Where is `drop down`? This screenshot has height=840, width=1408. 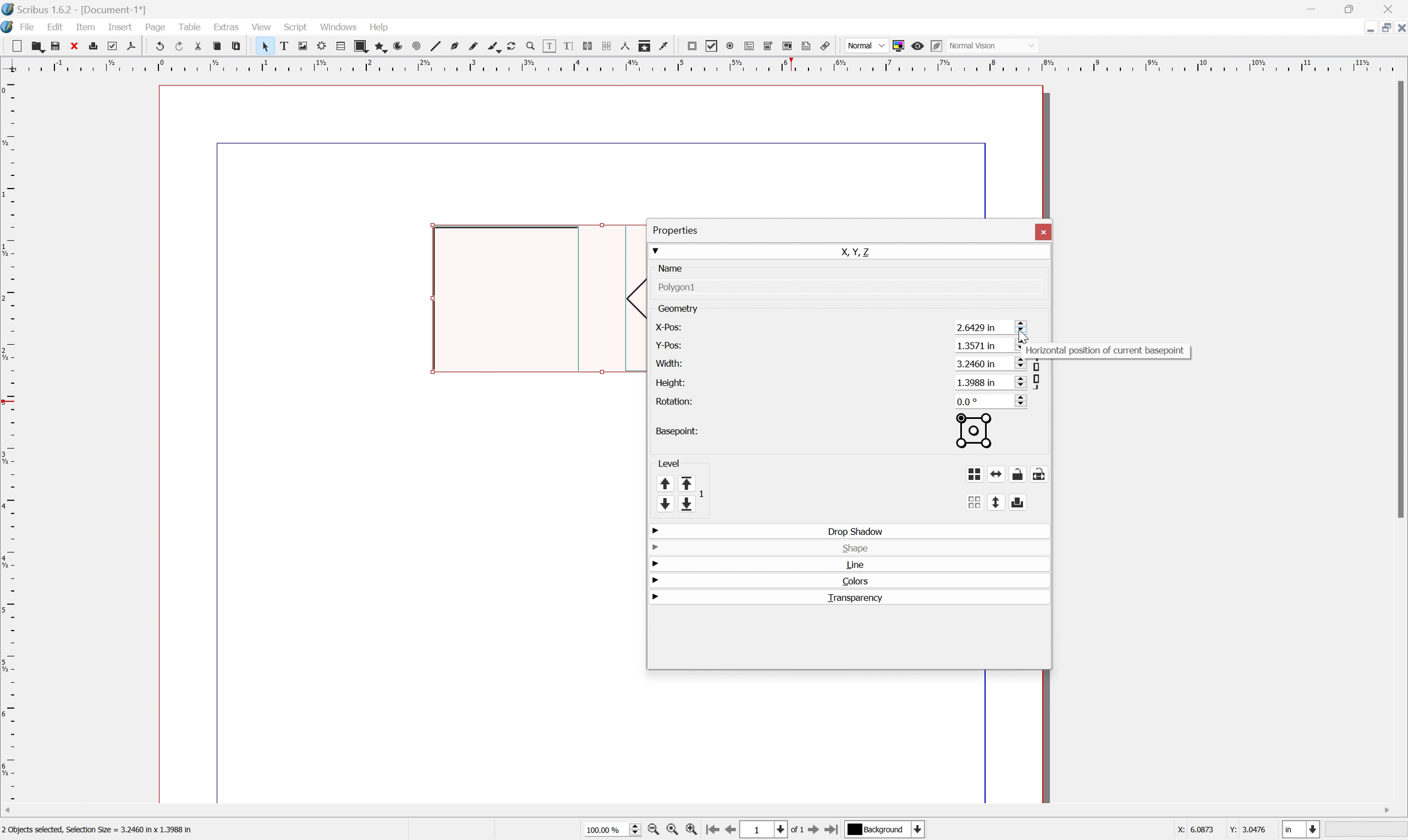 drop down is located at coordinates (656, 578).